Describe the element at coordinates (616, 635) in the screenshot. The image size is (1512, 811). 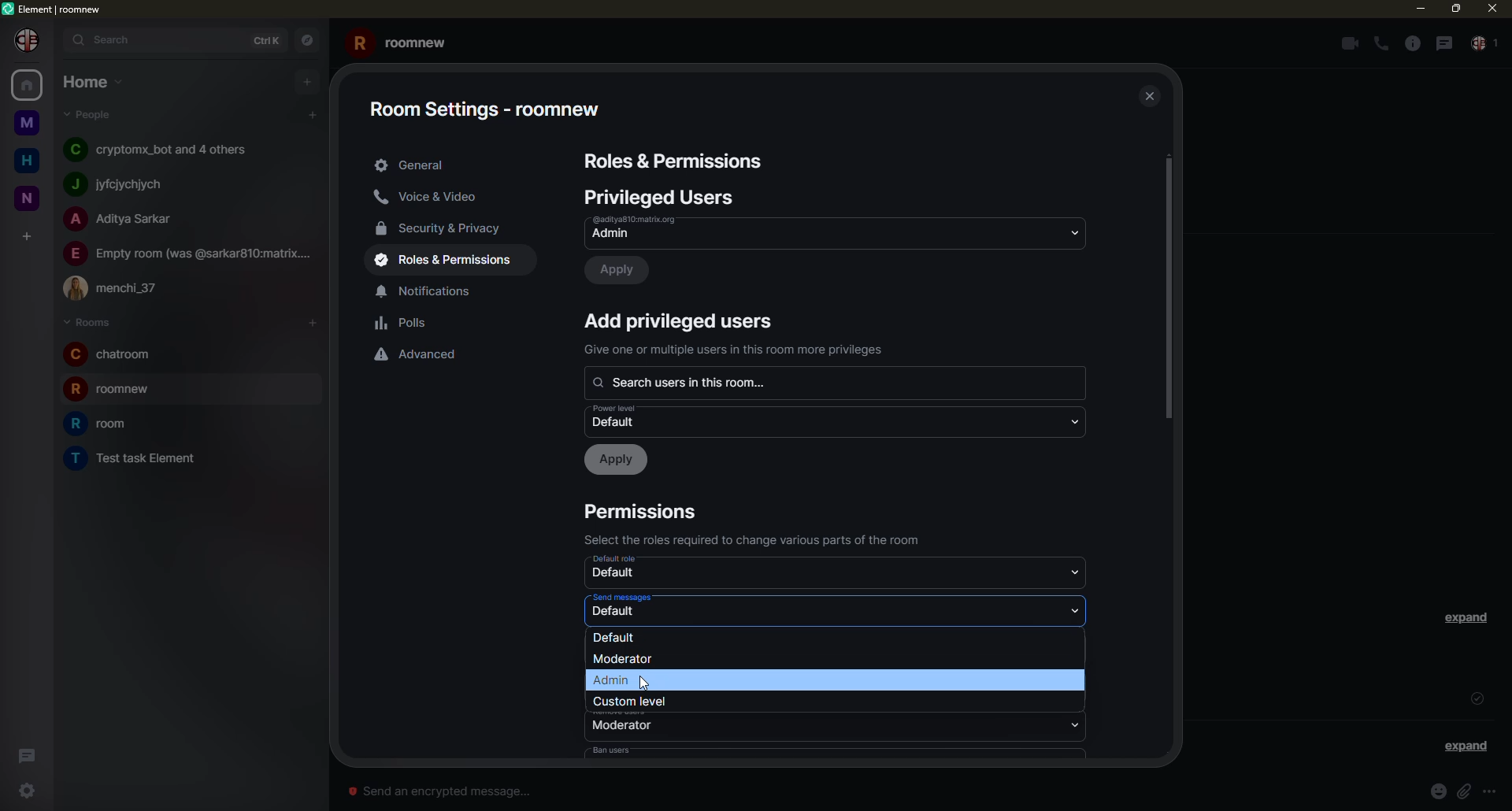
I see `invite` at that location.